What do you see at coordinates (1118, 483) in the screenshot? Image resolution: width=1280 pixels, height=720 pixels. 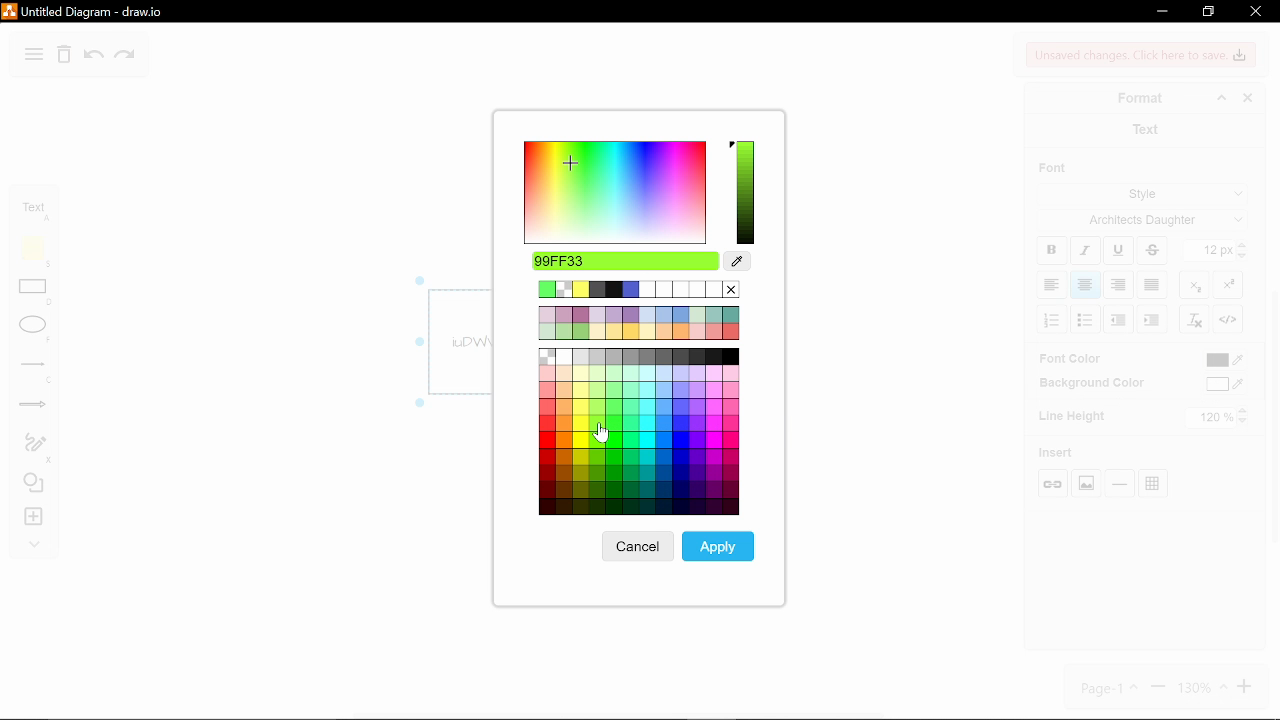 I see `insert horizontal rule` at bounding box center [1118, 483].